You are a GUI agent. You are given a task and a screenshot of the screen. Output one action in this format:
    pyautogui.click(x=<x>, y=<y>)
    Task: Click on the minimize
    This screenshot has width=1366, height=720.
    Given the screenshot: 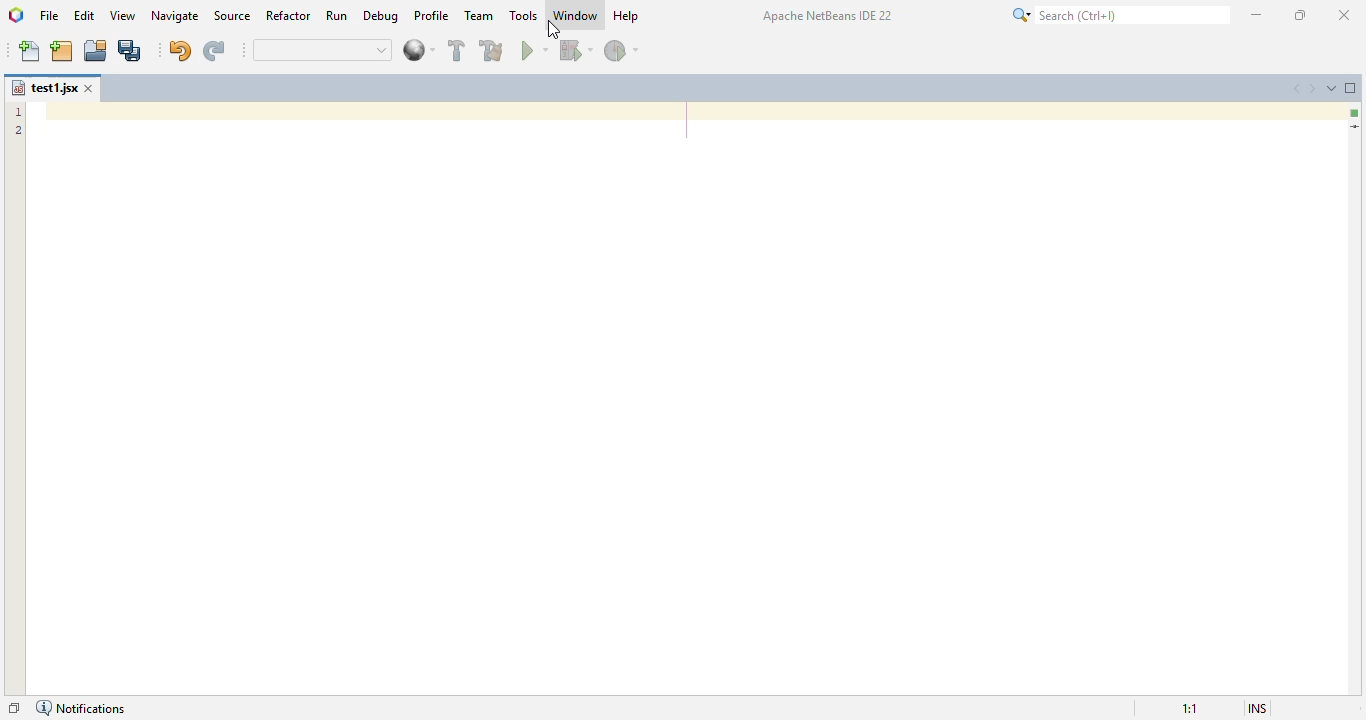 What is the action you would take?
    pyautogui.click(x=1257, y=14)
    